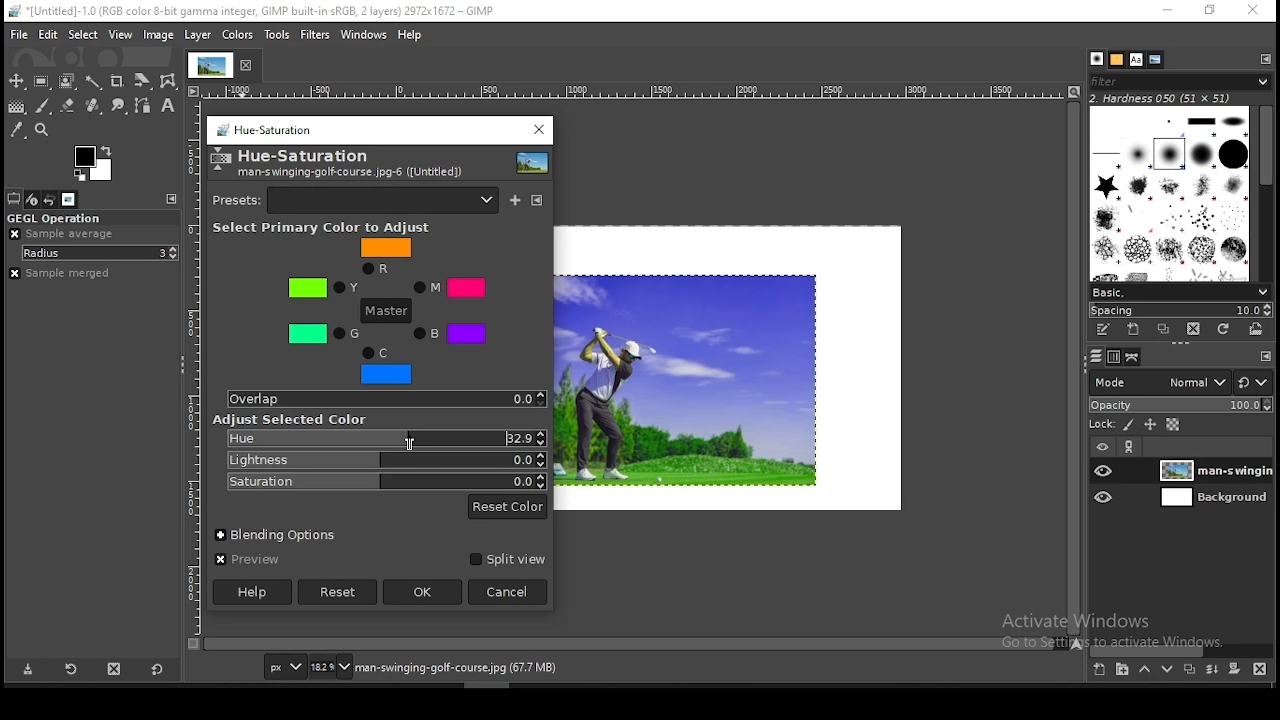 The width and height of the screenshot is (1280, 720). Describe the element at coordinates (1135, 331) in the screenshot. I see `create a new brush` at that location.